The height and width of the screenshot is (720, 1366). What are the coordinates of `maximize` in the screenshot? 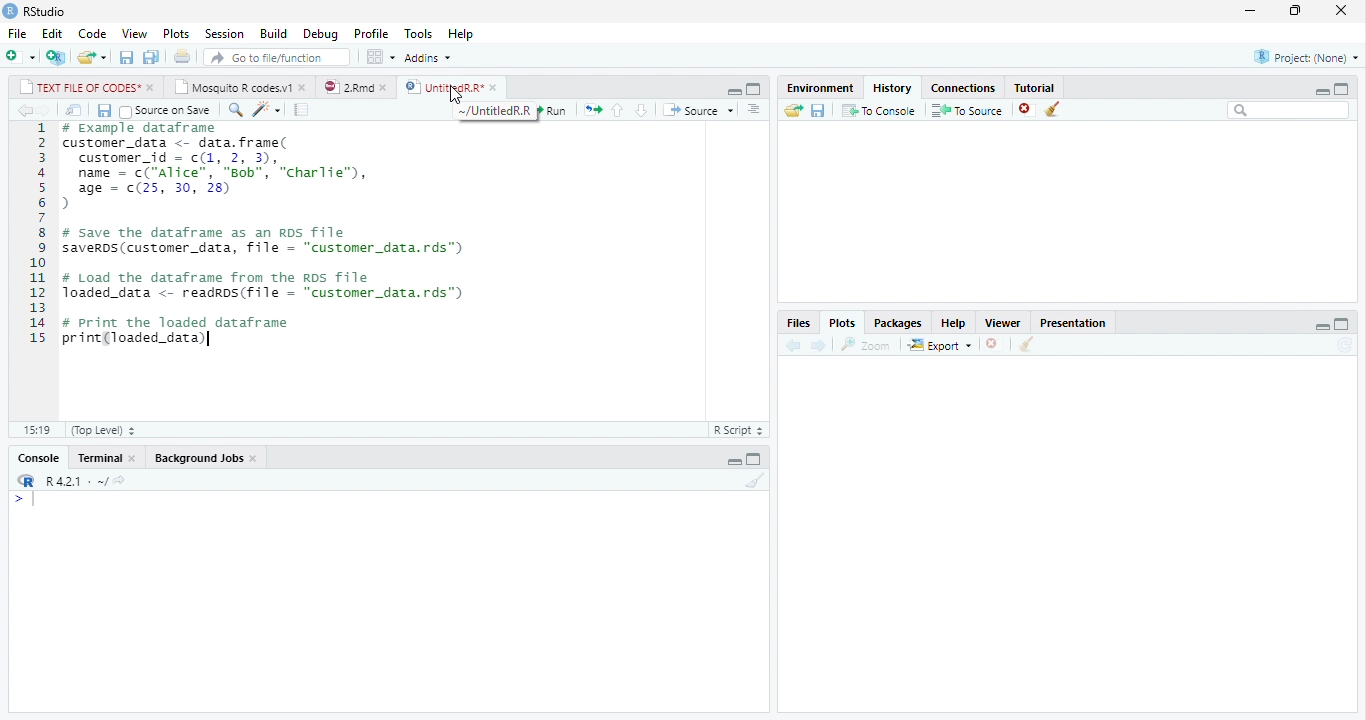 It's located at (1342, 323).